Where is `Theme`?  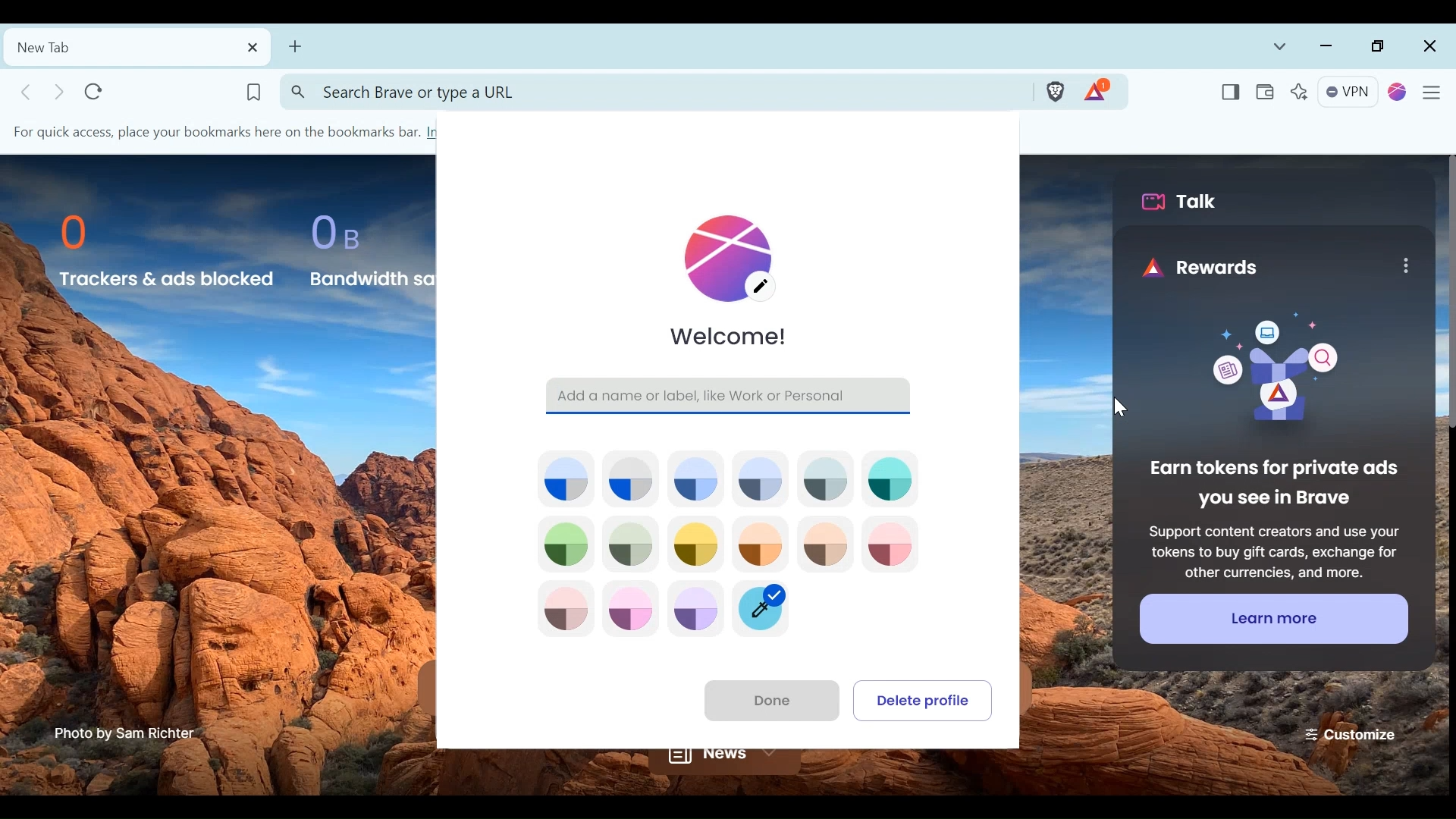
Theme is located at coordinates (695, 613).